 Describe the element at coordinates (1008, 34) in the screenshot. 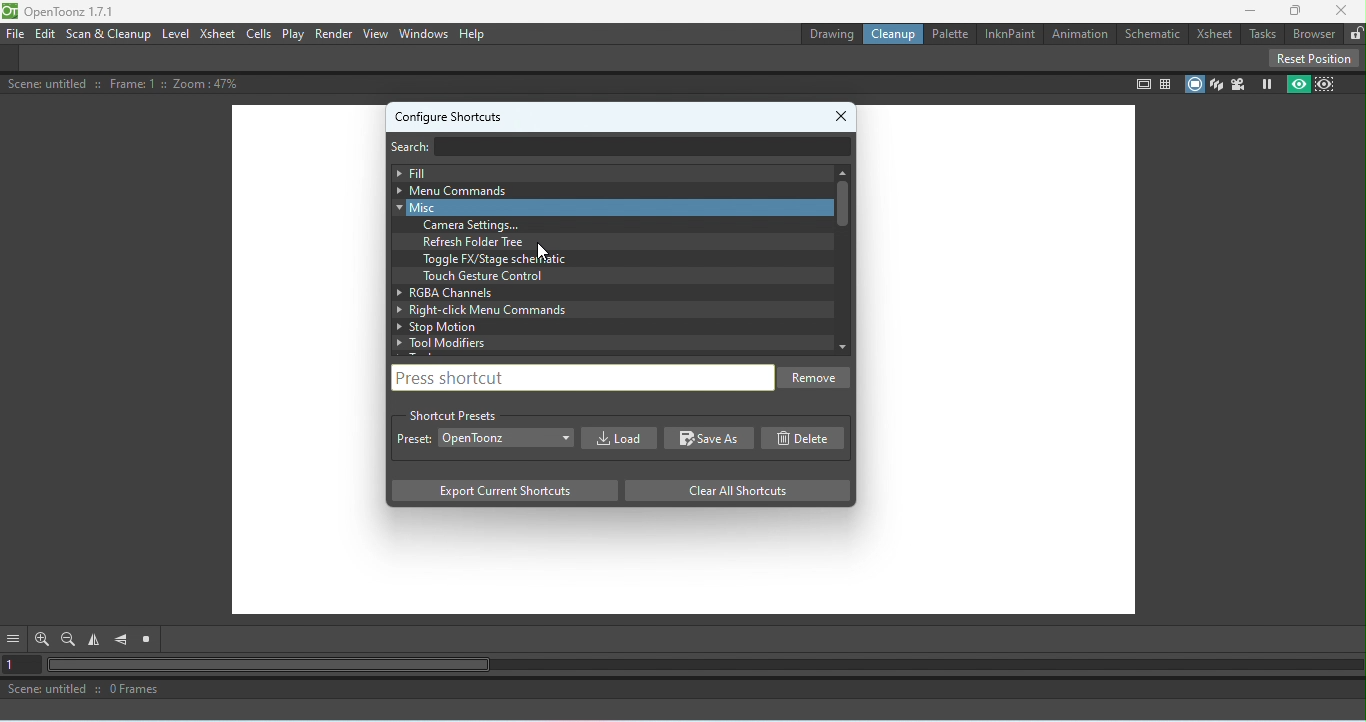

I see `InknPaint` at that location.